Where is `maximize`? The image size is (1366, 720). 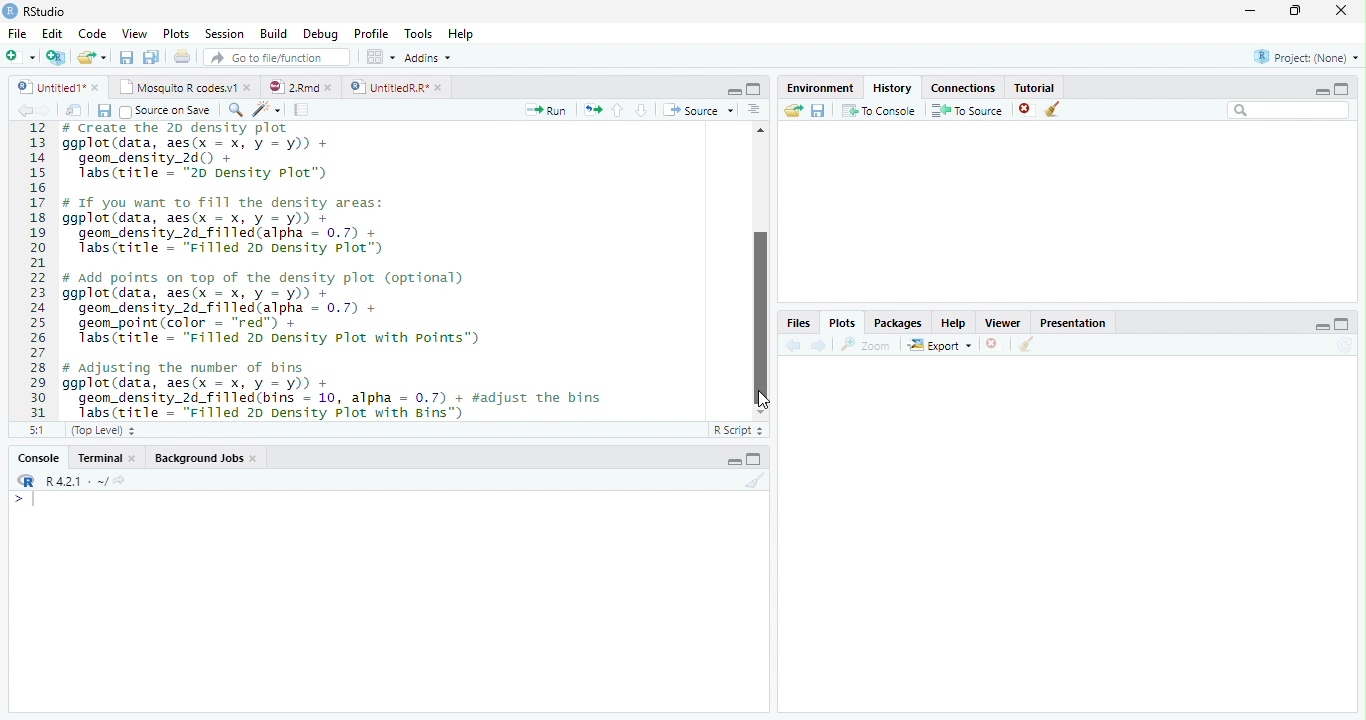
maximize is located at coordinates (1344, 323).